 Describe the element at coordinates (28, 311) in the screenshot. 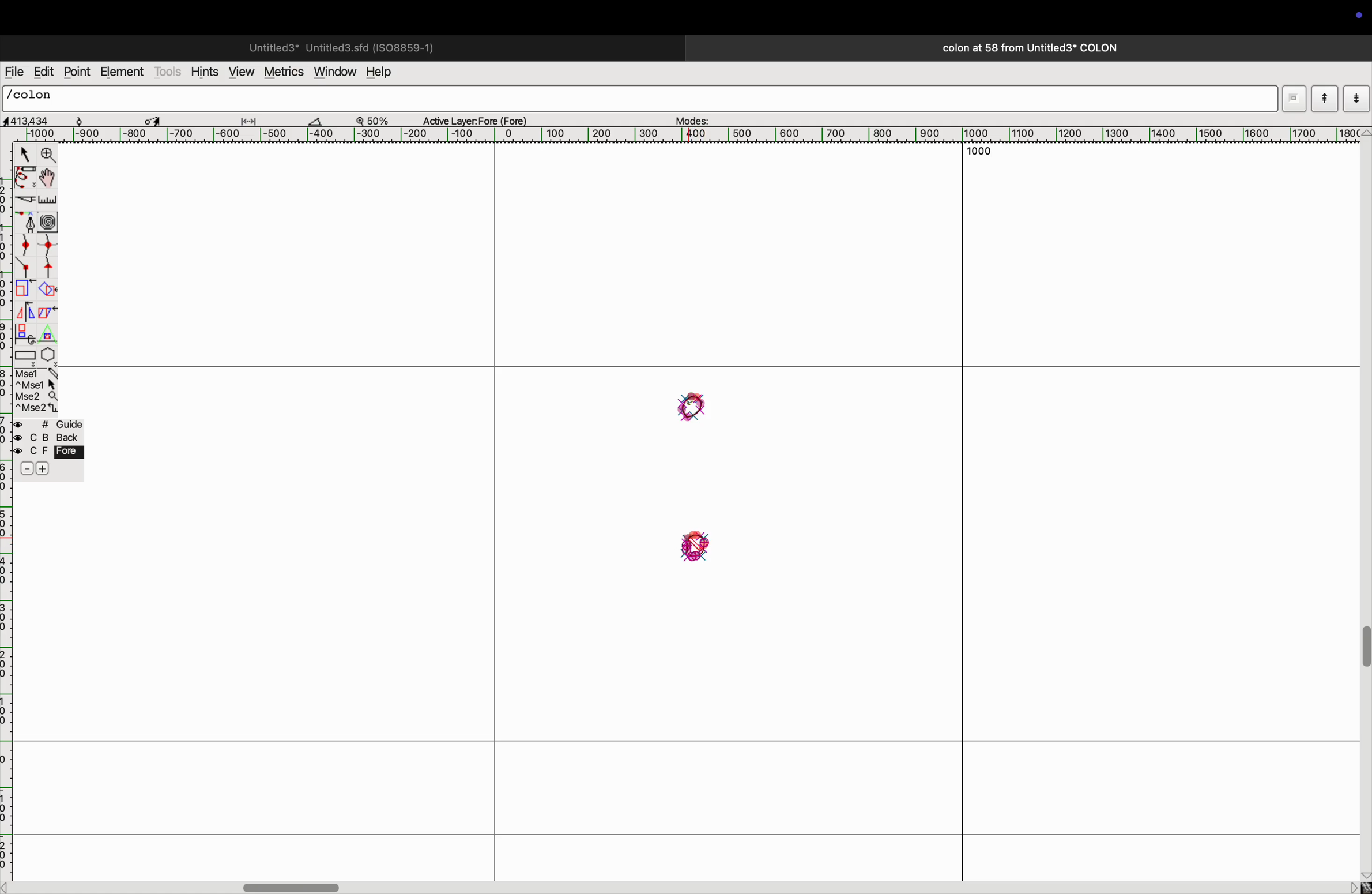

I see `mirror` at that location.